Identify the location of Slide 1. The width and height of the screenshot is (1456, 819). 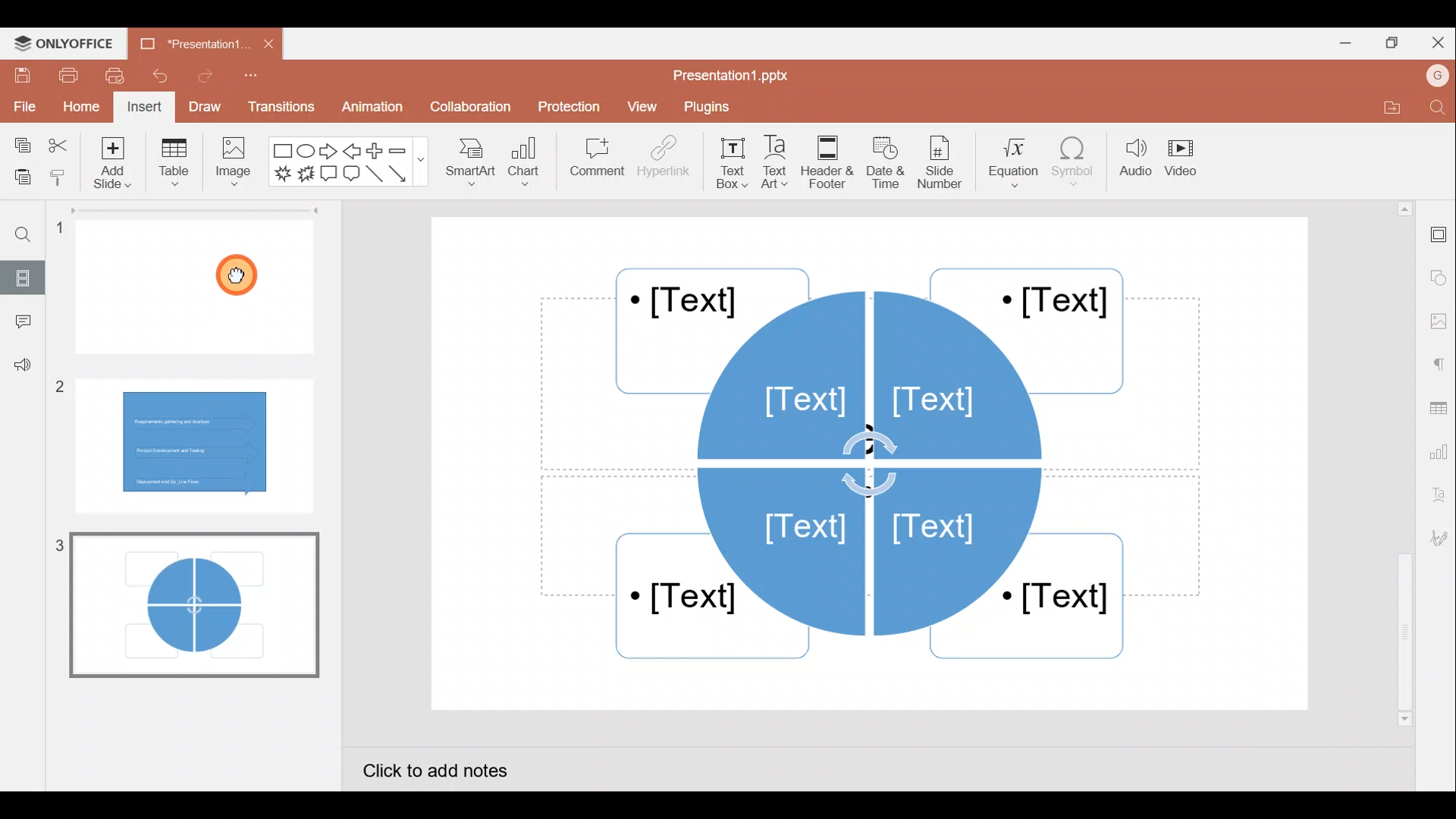
(201, 285).